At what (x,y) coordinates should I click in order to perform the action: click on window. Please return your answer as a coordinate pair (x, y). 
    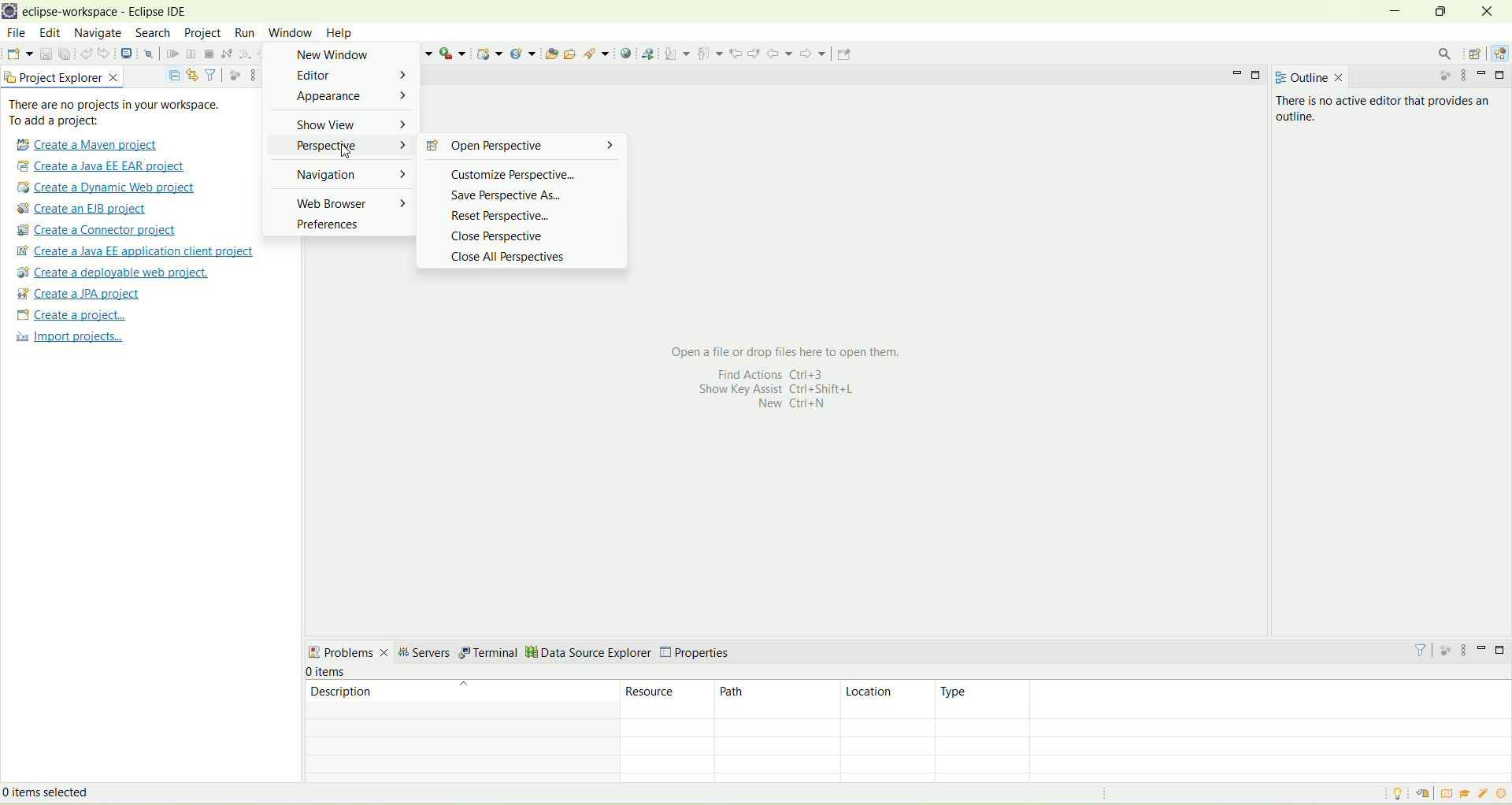
    Looking at the image, I should click on (290, 34).